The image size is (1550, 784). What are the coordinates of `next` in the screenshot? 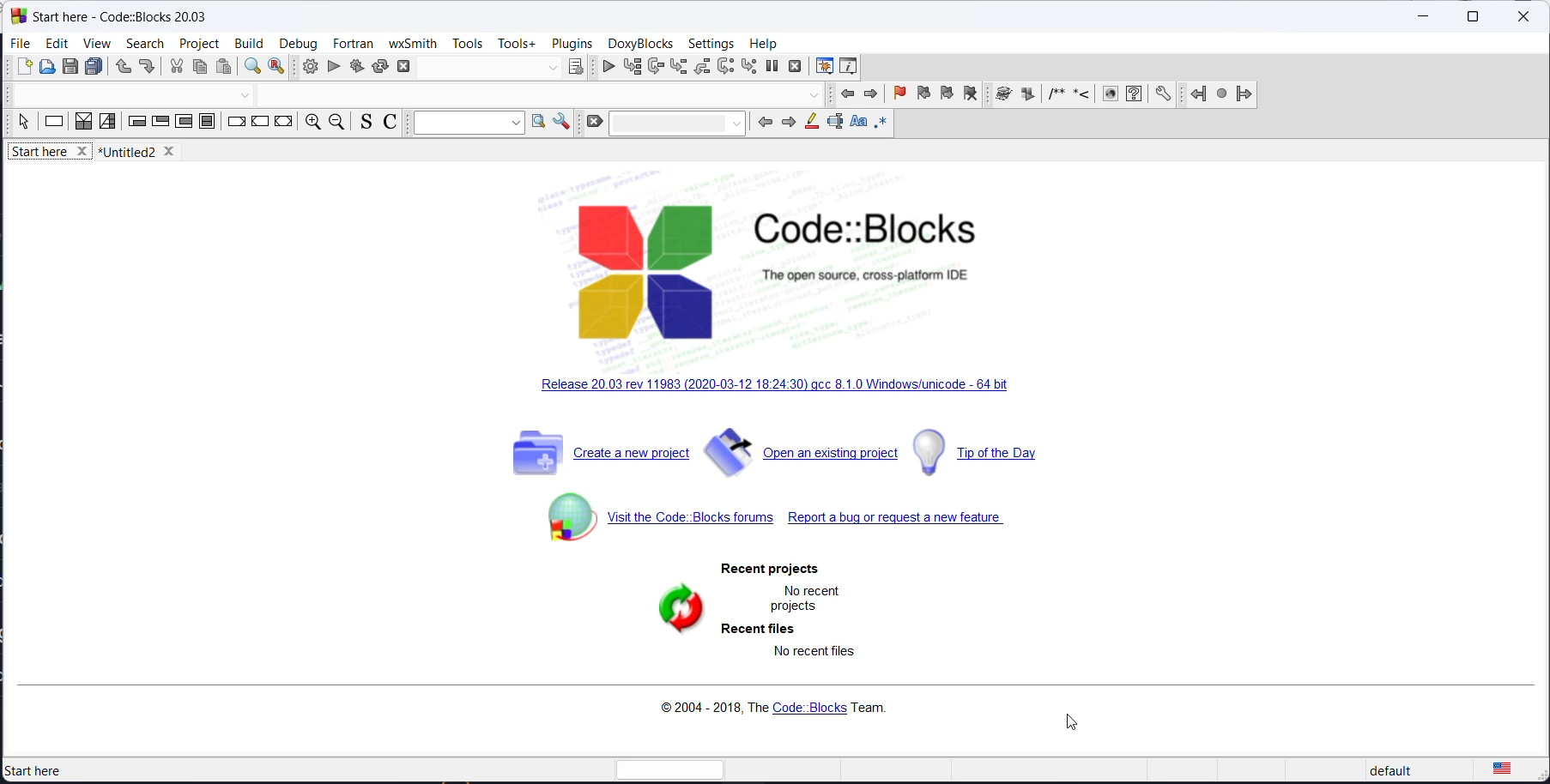 It's located at (871, 94).